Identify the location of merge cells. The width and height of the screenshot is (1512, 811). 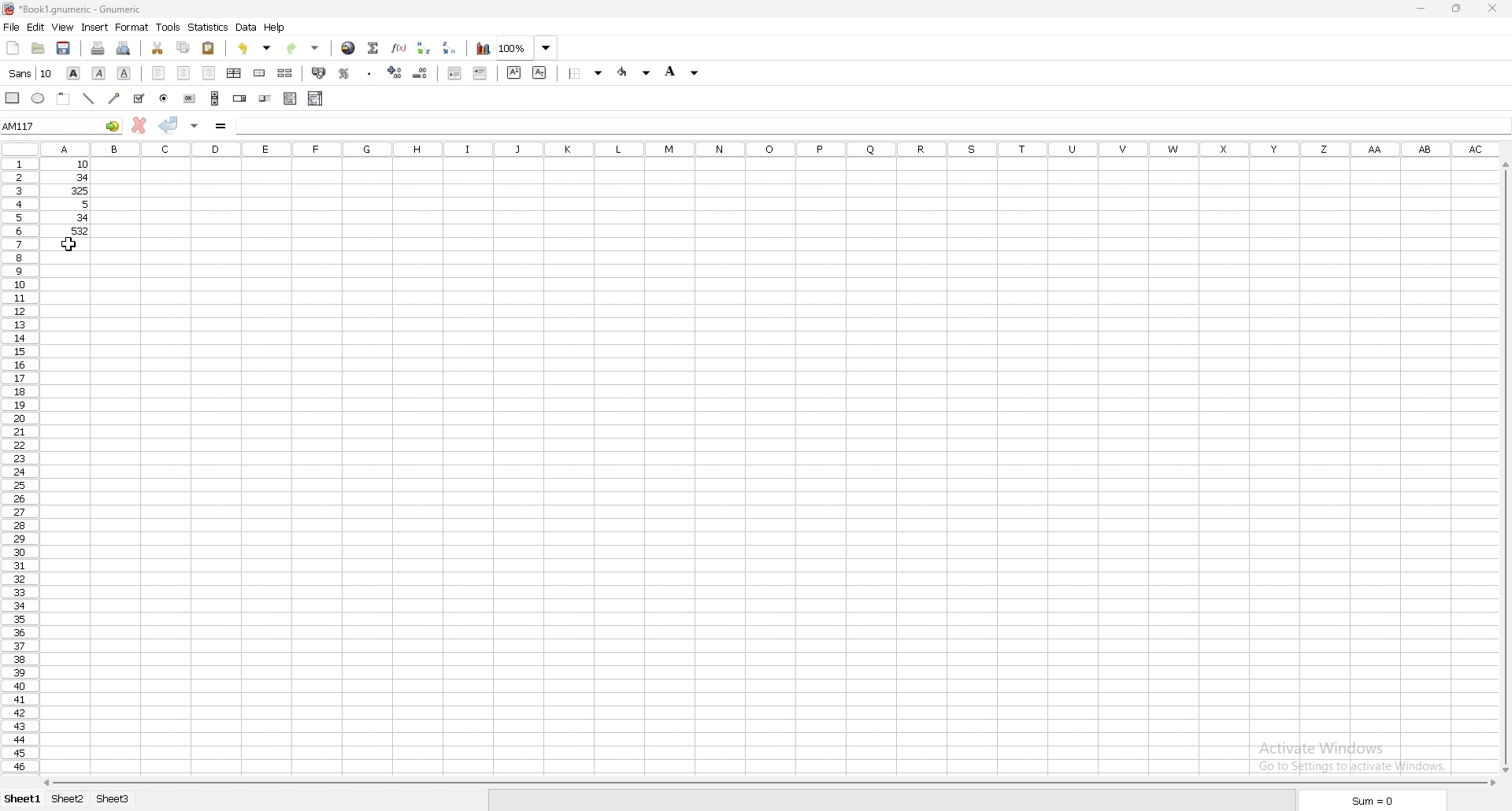
(260, 74).